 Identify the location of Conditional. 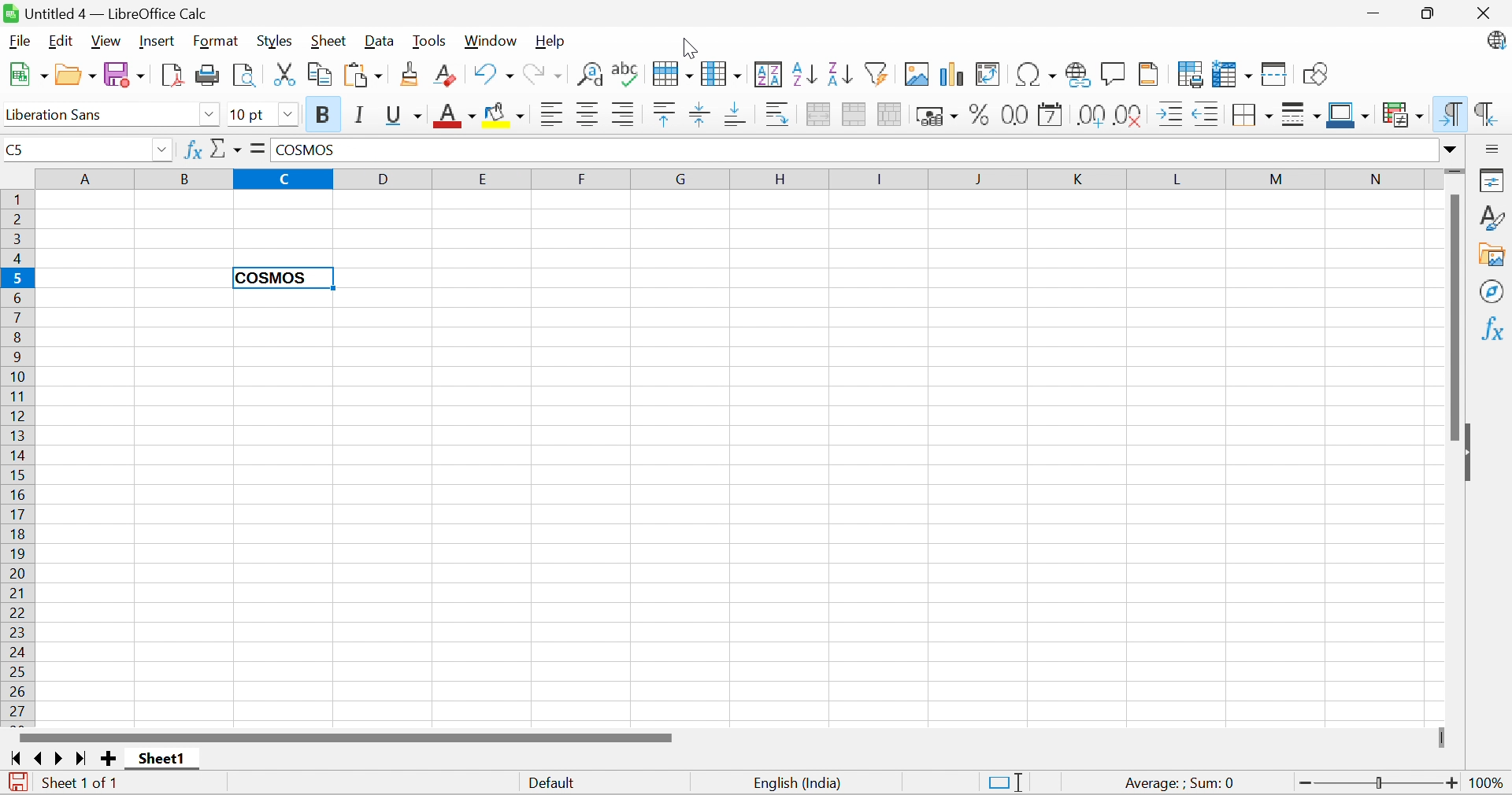
(1404, 114).